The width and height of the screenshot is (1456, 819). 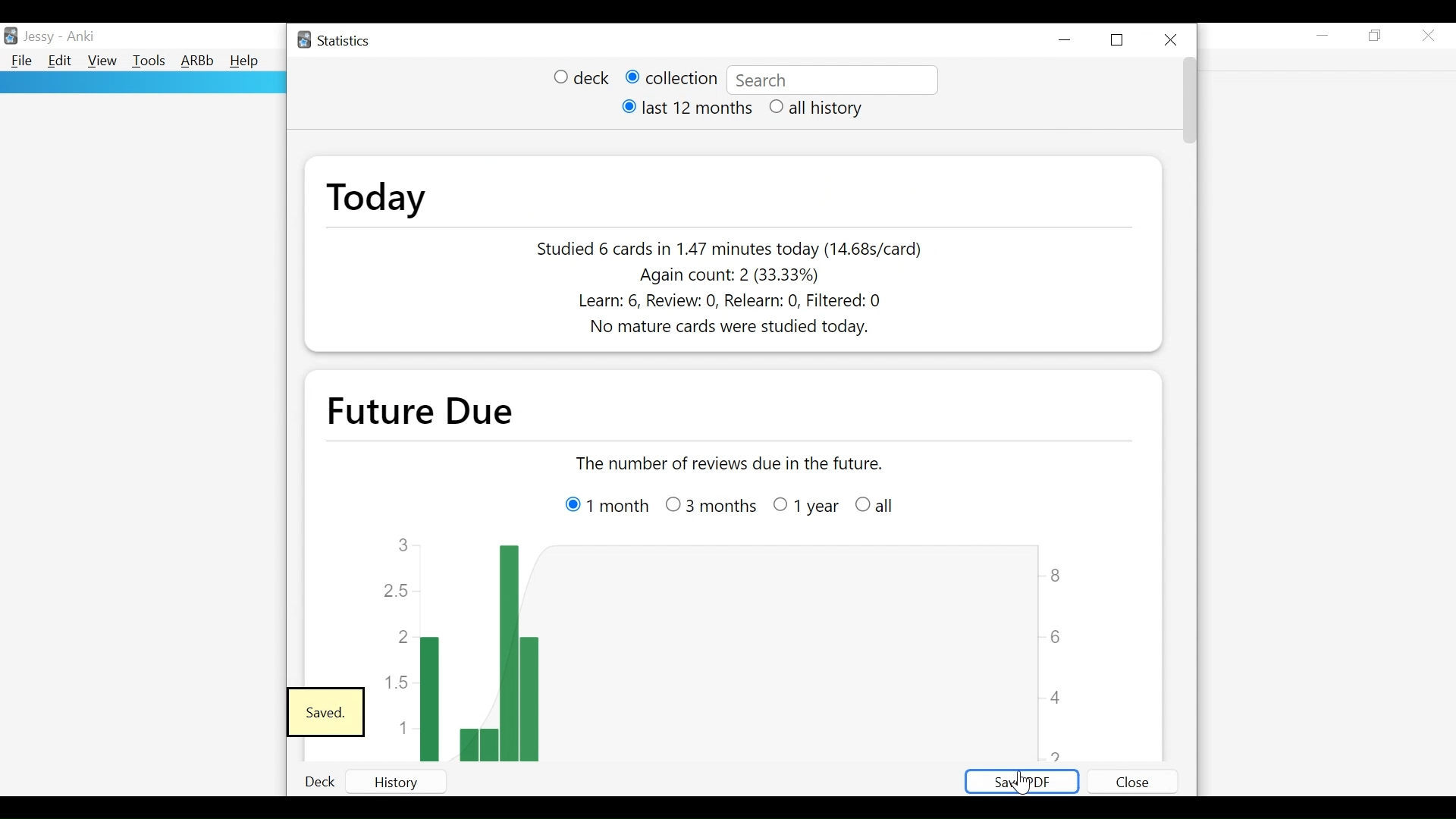 I want to click on User Nmae, so click(x=39, y=39).